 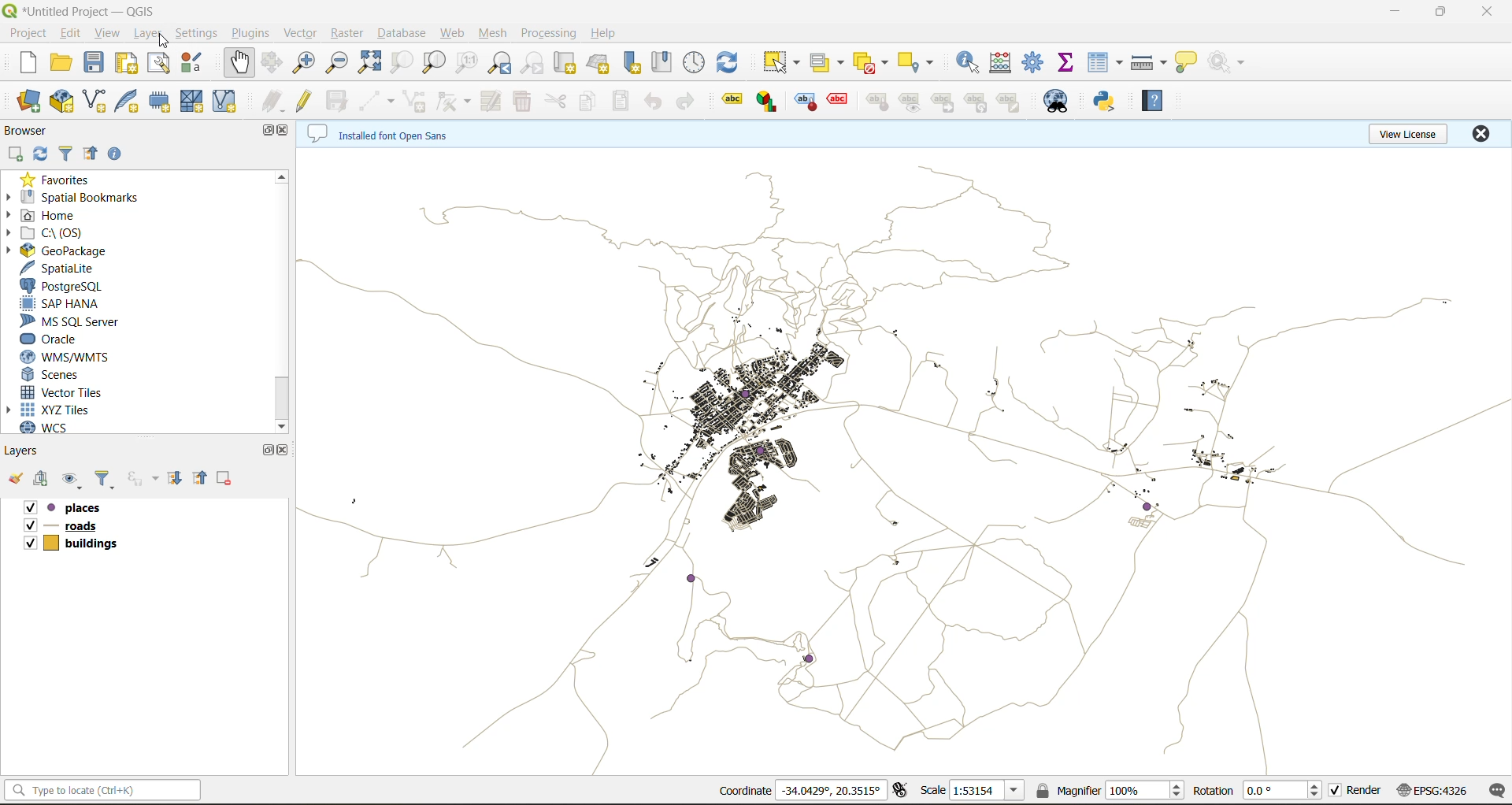 What do you see at coordinates (76, 285) in the screenshot?
I see `postgresql` at bounding box center [76, 285].